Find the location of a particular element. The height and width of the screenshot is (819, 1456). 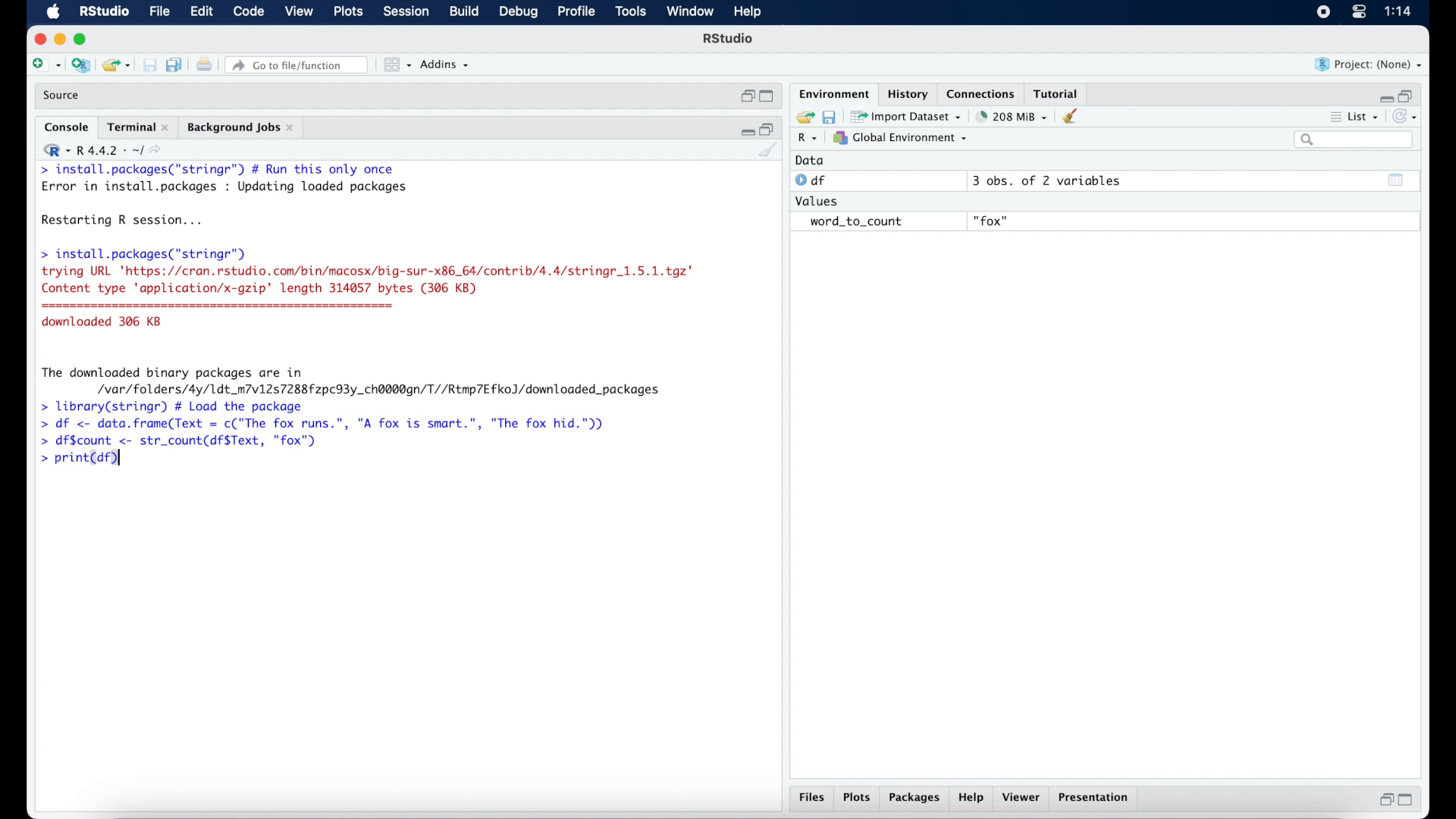

clear console is located at coordinates (1074, 116).